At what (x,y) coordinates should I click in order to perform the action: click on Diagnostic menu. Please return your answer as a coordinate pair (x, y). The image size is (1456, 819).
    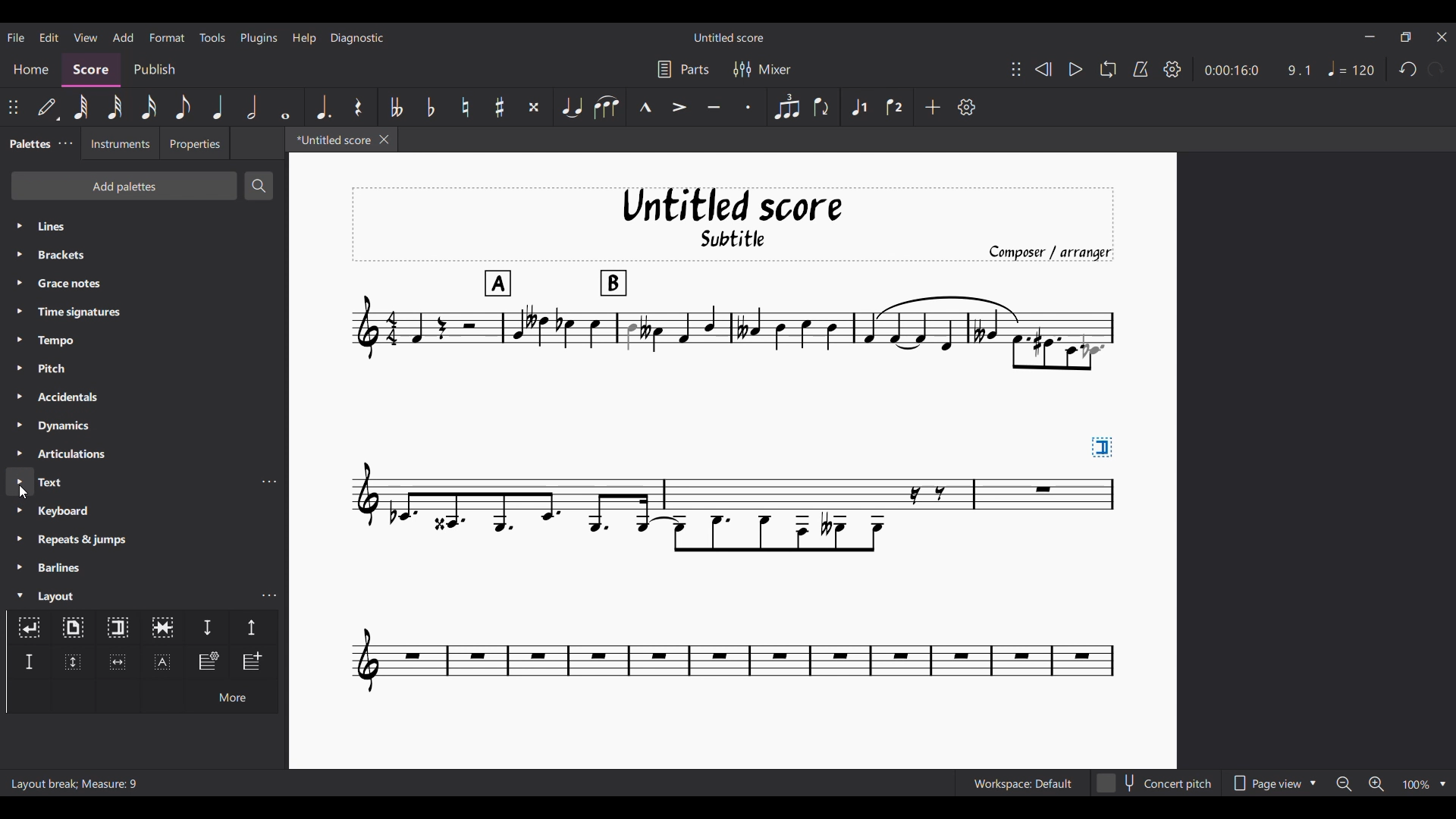
    Looking at the image, I should click on (358, 38).